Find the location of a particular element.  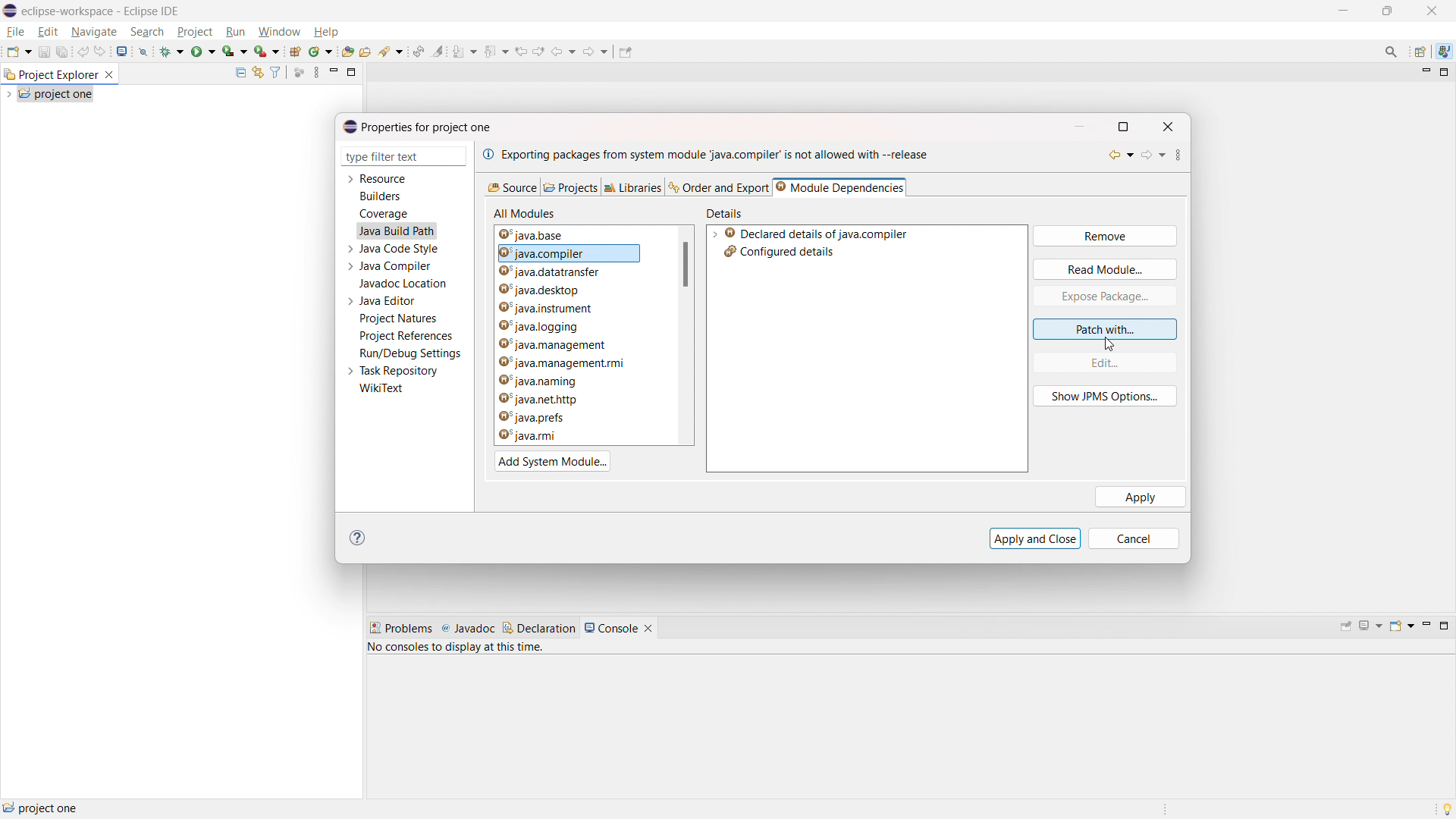

save is located at coordinates (44, 52).